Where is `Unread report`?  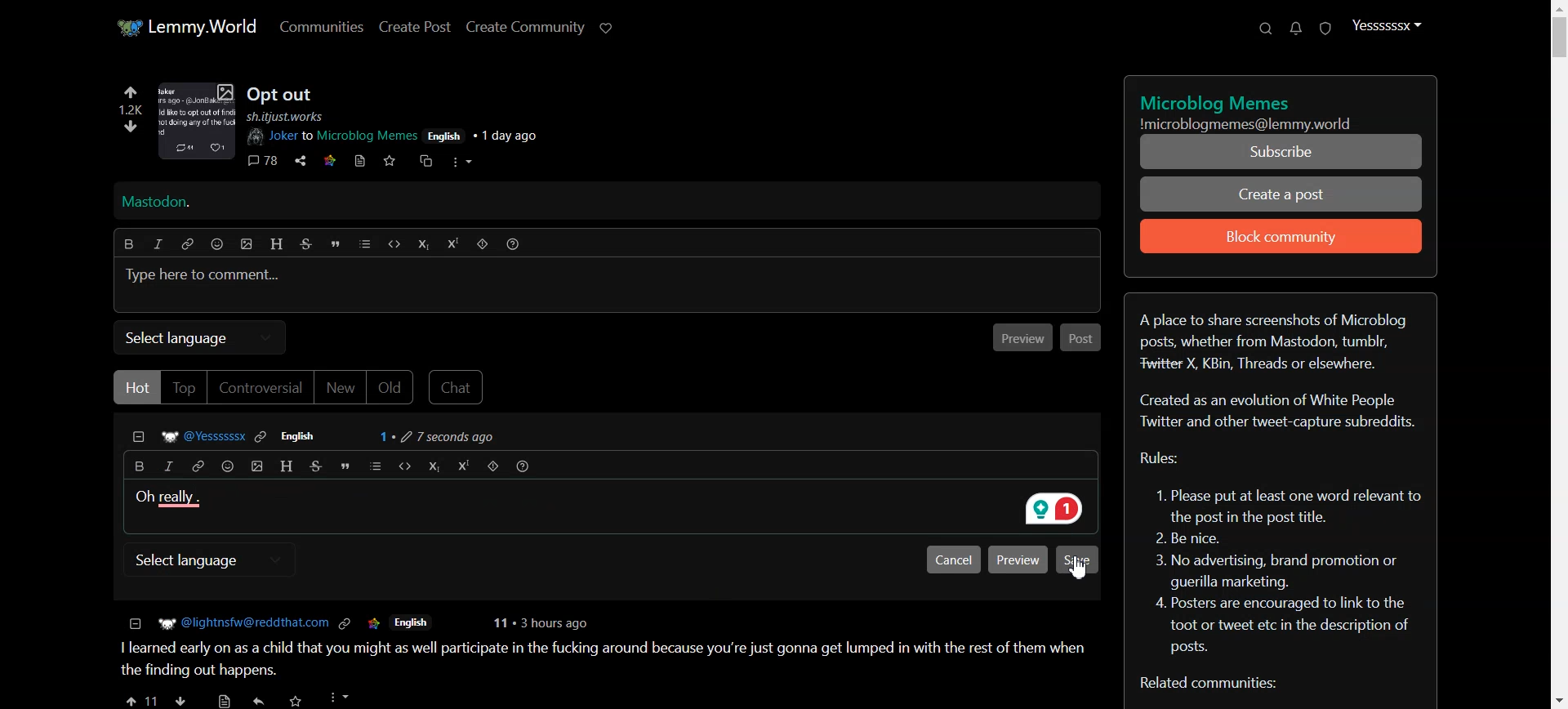 Unread report is located at coordinates (1325, 29).